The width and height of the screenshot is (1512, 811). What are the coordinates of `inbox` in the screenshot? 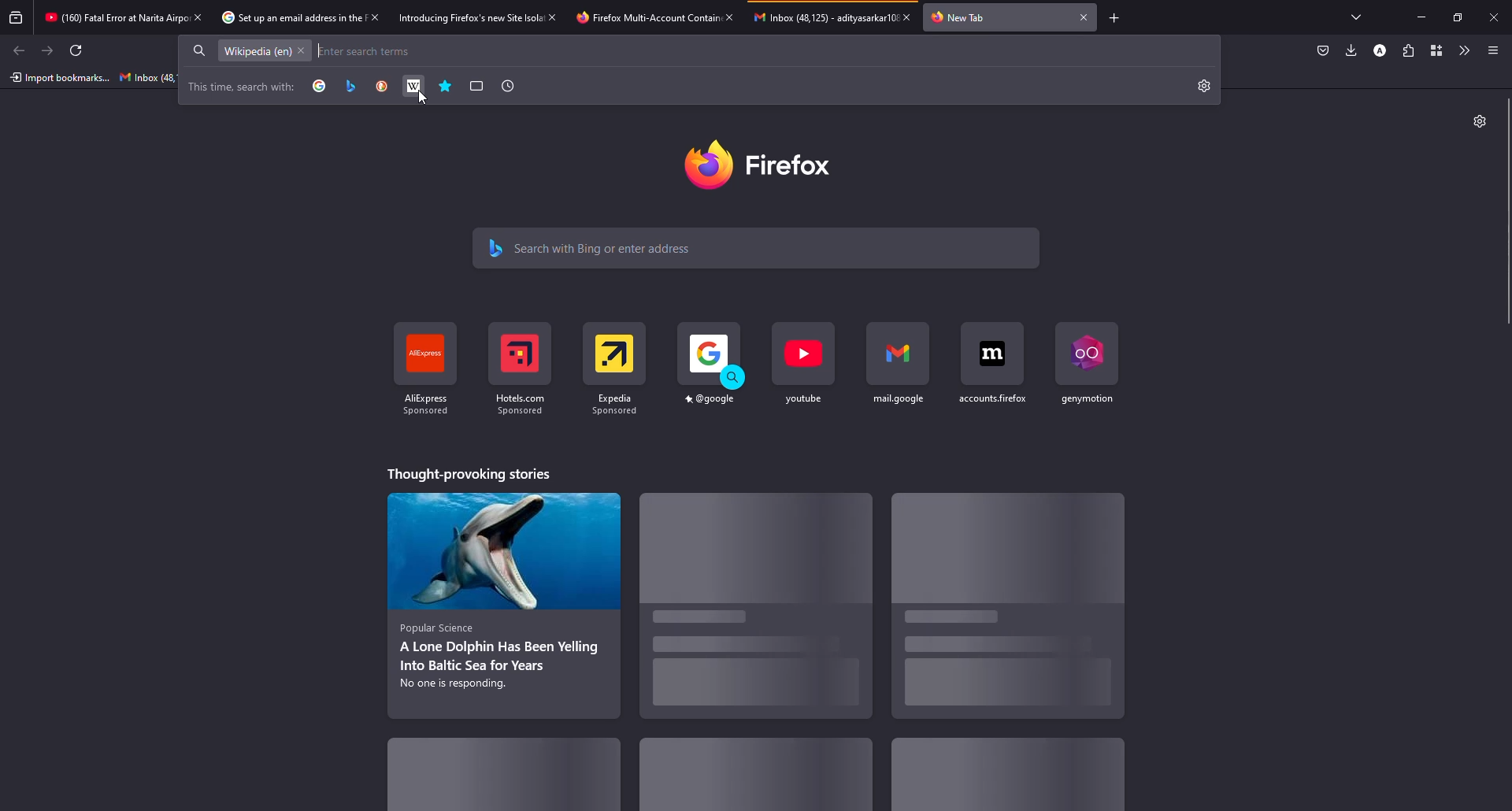 It's located at (147, 77).